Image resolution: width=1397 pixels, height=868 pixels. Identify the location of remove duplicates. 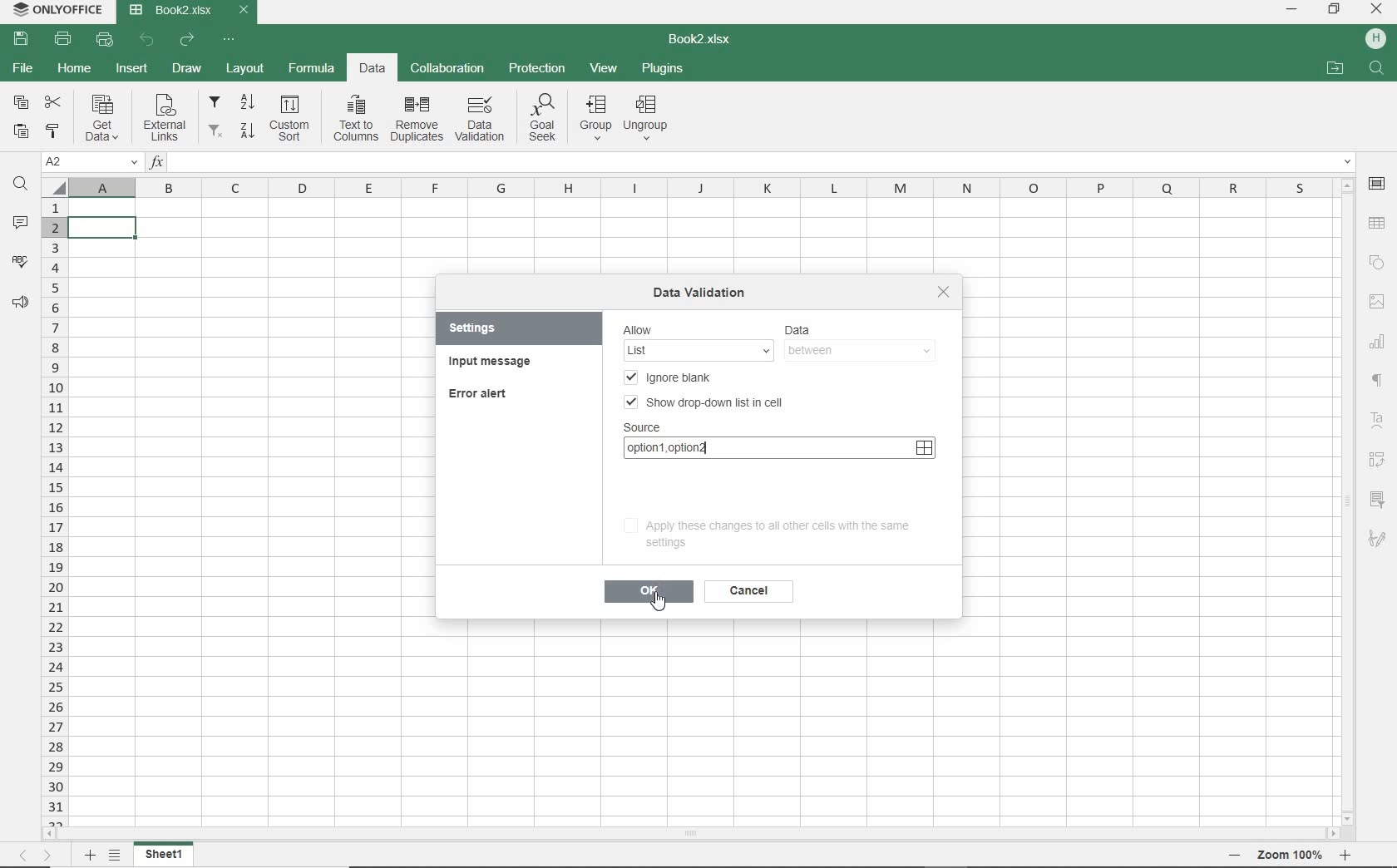
(418, 116).